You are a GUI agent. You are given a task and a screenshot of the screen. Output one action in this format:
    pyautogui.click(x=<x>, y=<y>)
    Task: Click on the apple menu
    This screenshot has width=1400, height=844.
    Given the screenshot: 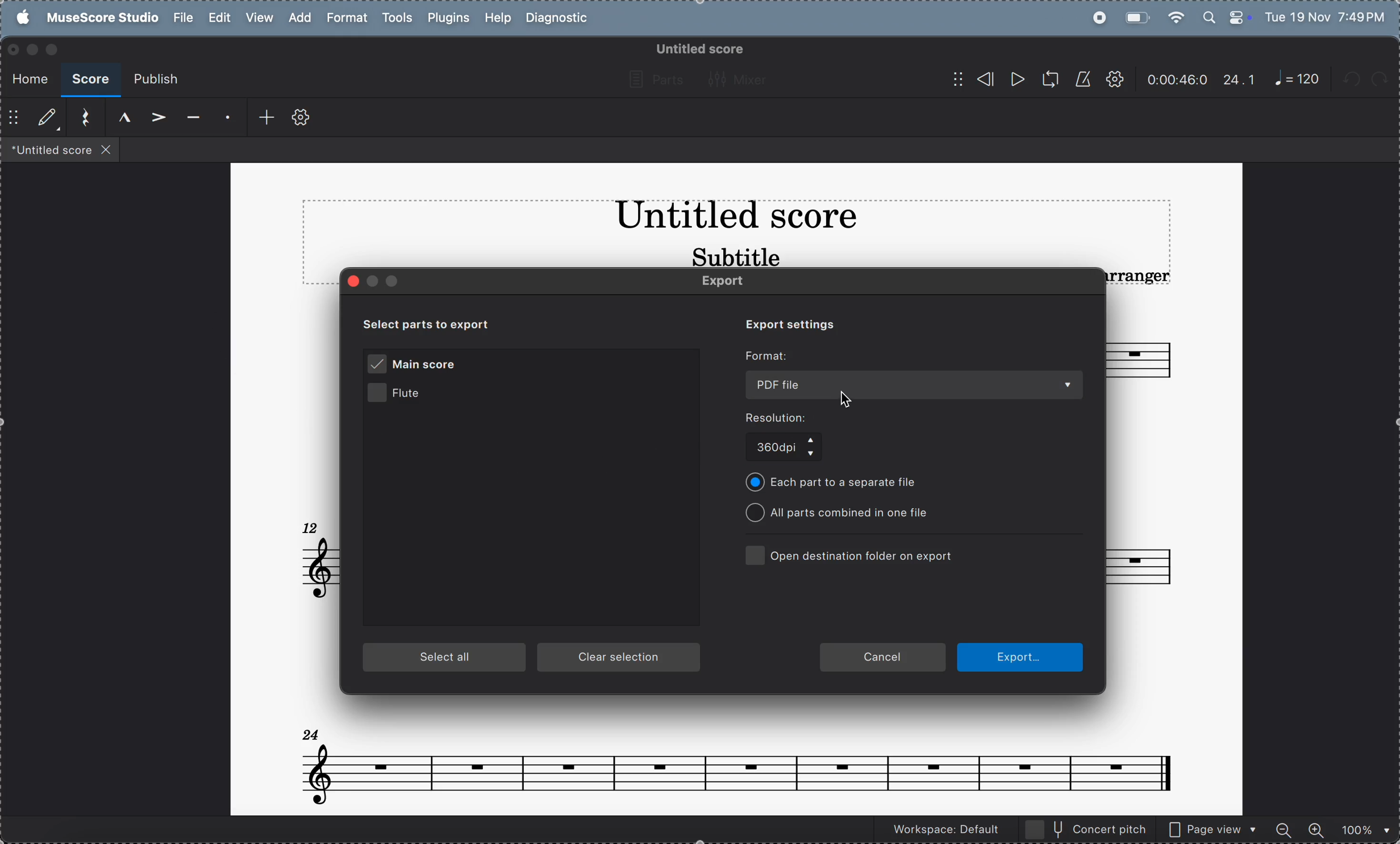 What is the action you would take?
    pyautogui.click(x=19, y=17)
    